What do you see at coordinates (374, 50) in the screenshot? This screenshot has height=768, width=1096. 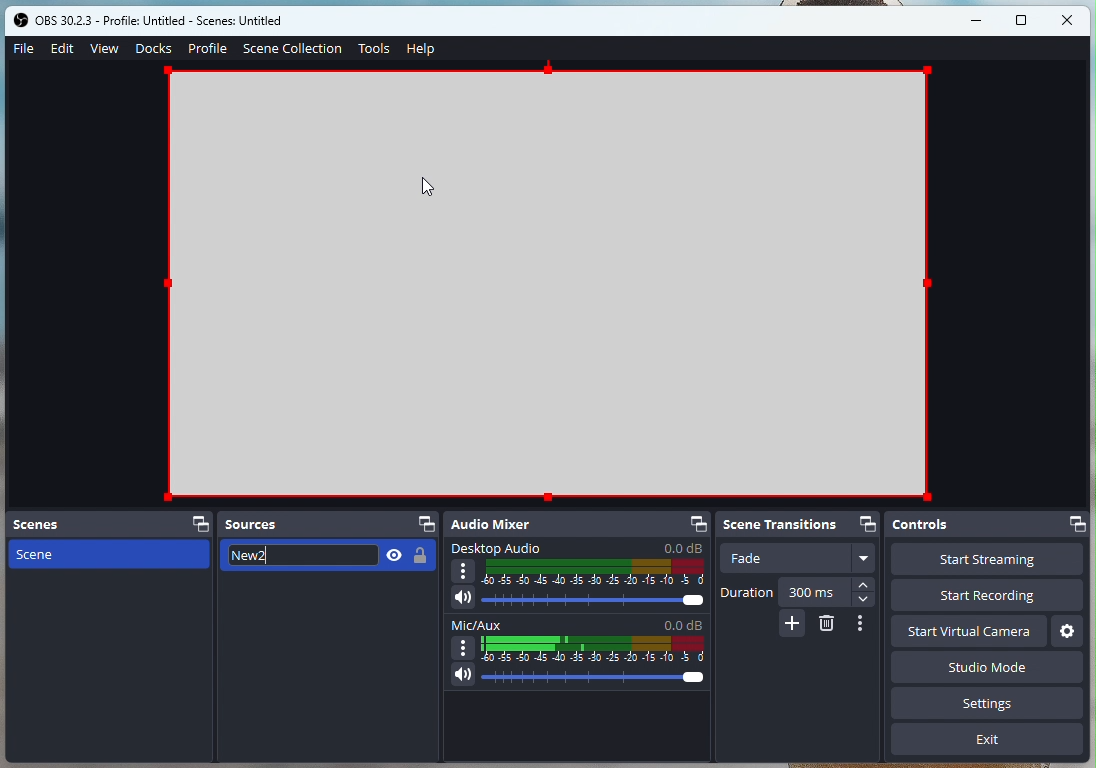 I see `Tools` at bounding box center [374, 50].